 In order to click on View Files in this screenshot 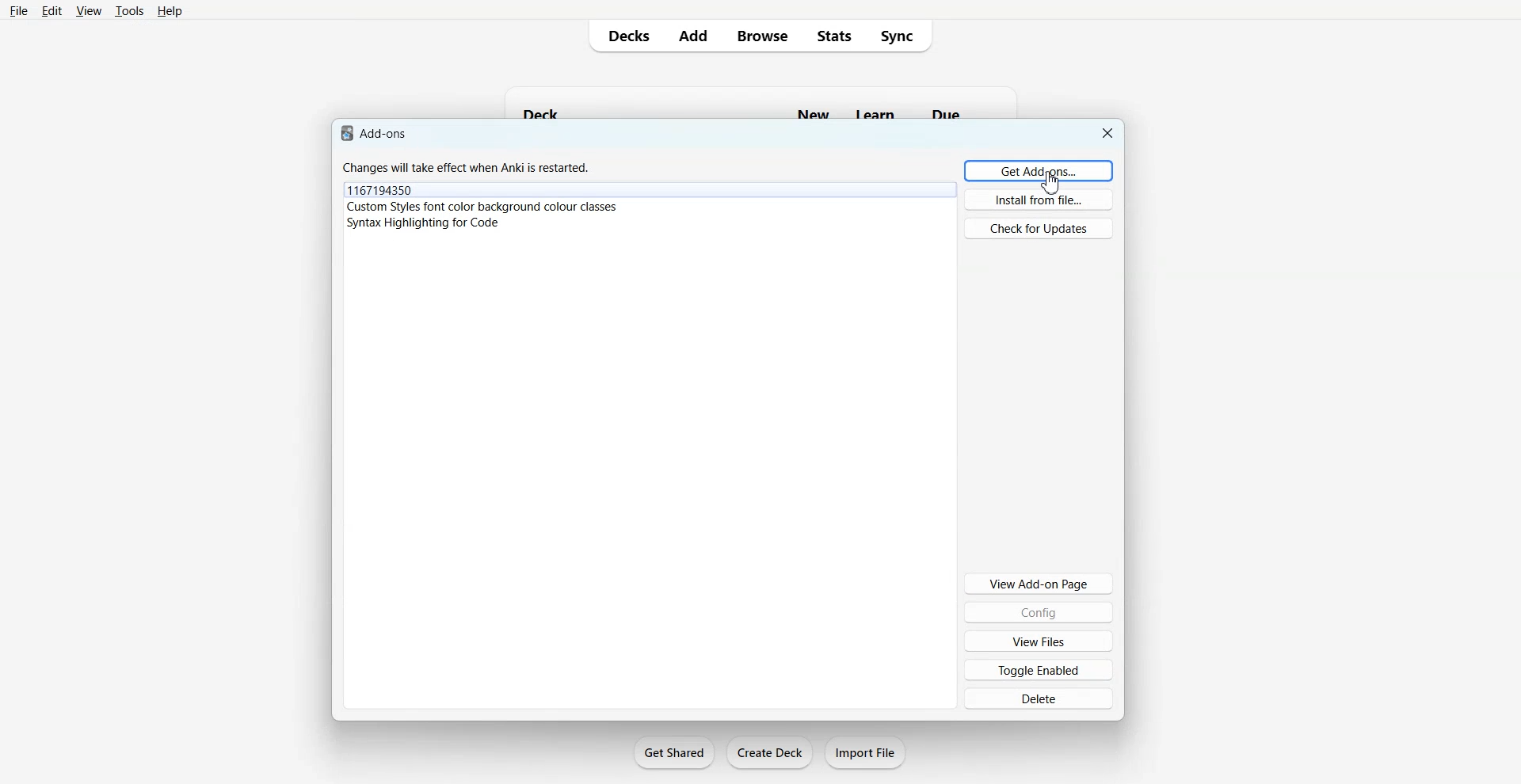, I will do `click(1039, 641)`.